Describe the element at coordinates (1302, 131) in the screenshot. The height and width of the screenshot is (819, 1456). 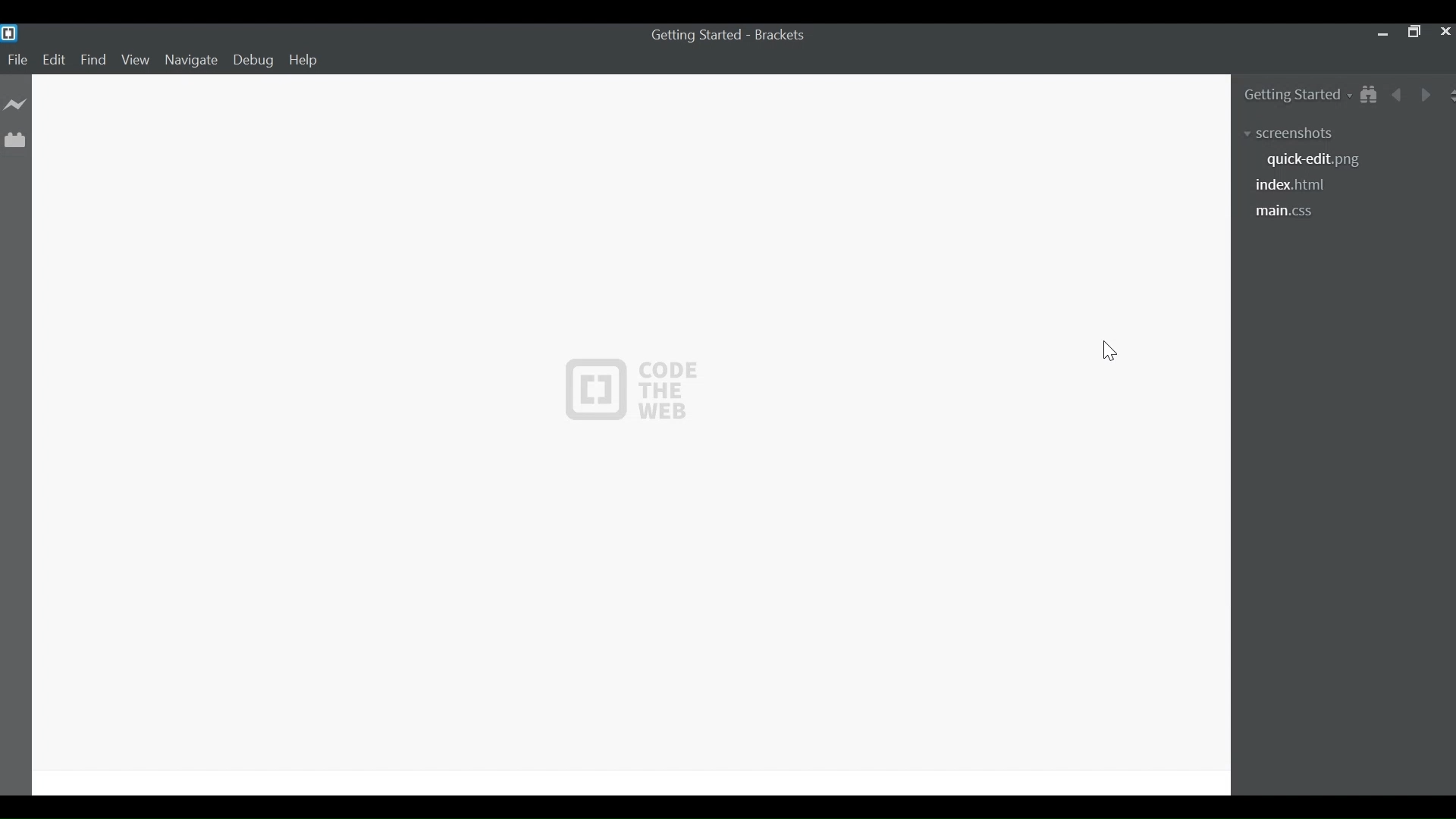
I see `extensions` at that location.